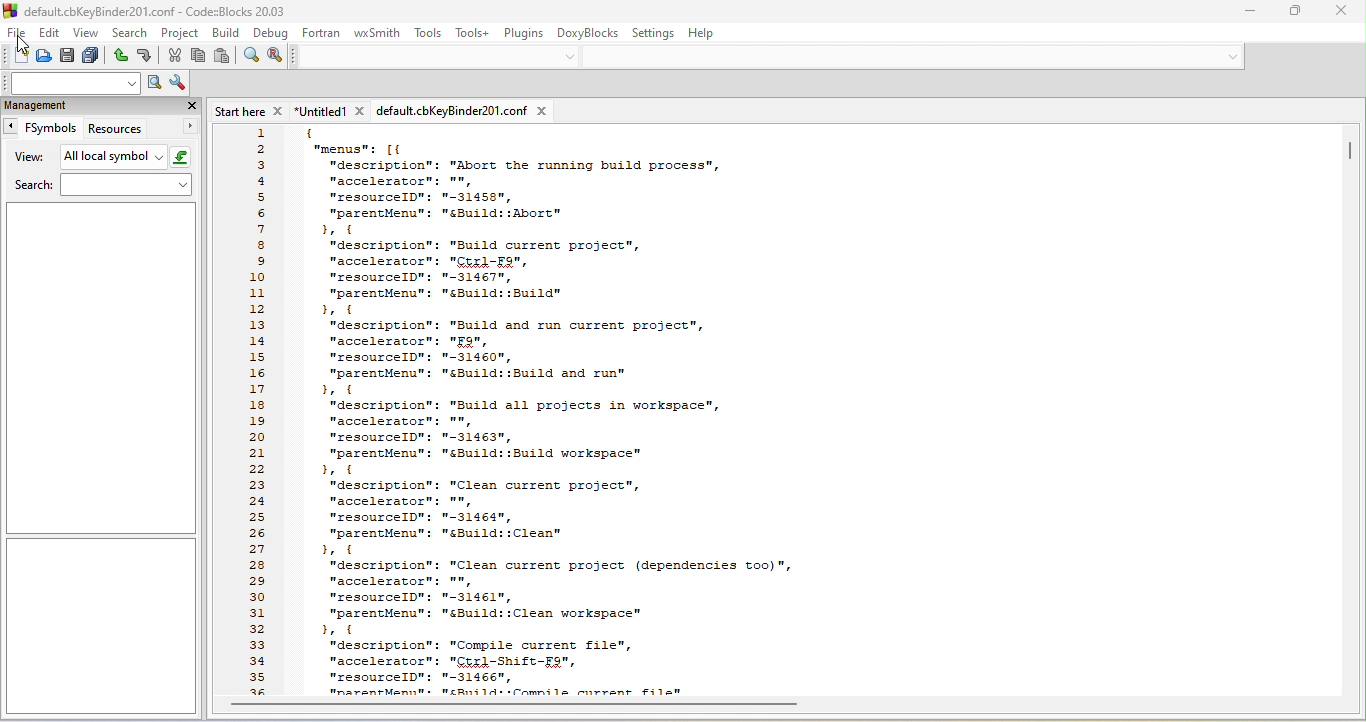  Describe the element at coordinates (321, 32) in the screenshot. I see `fortran` at that location.